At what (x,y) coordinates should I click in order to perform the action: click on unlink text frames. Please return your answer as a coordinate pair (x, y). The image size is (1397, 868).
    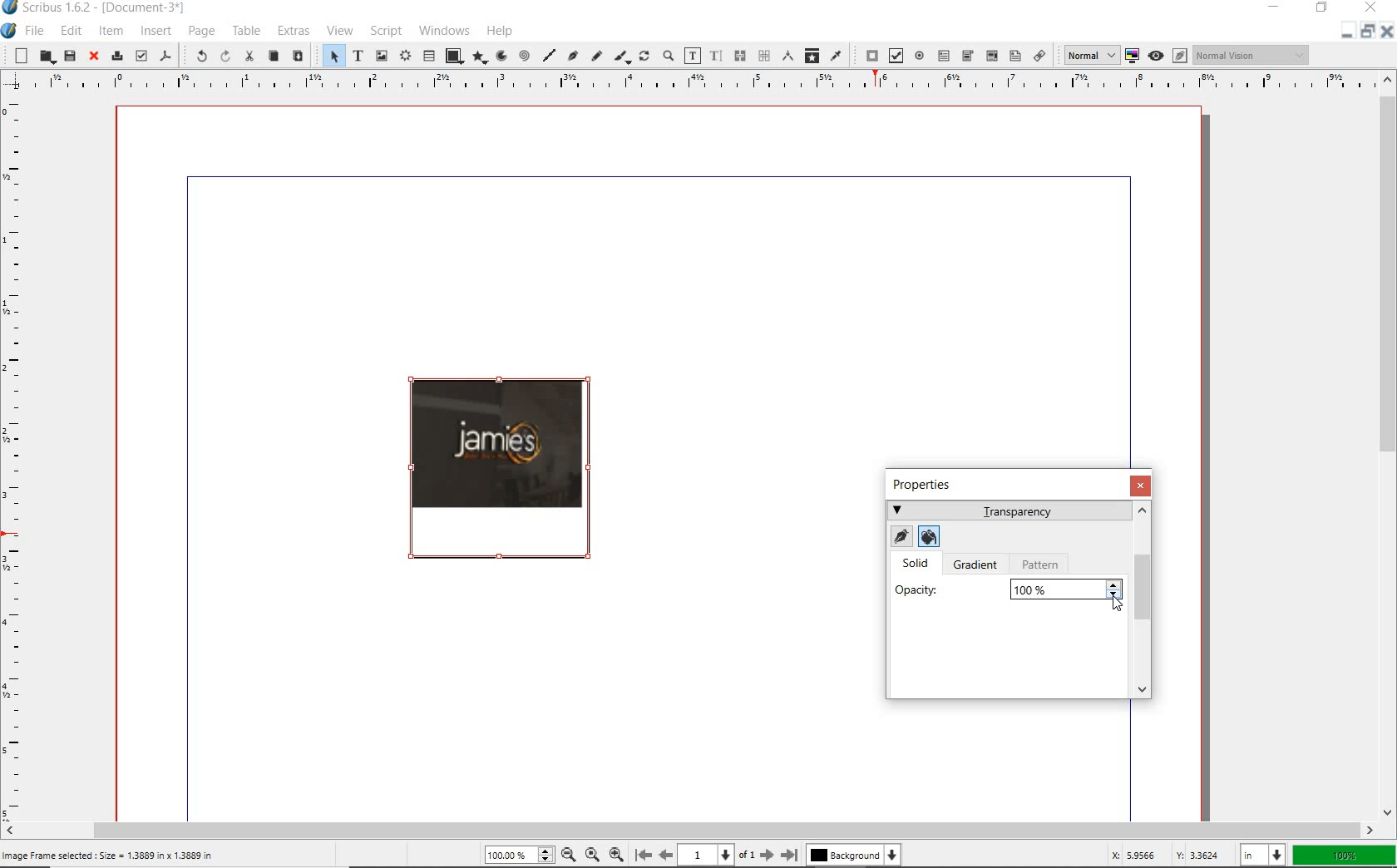
    Looking at the image, I should click on (759, 57).